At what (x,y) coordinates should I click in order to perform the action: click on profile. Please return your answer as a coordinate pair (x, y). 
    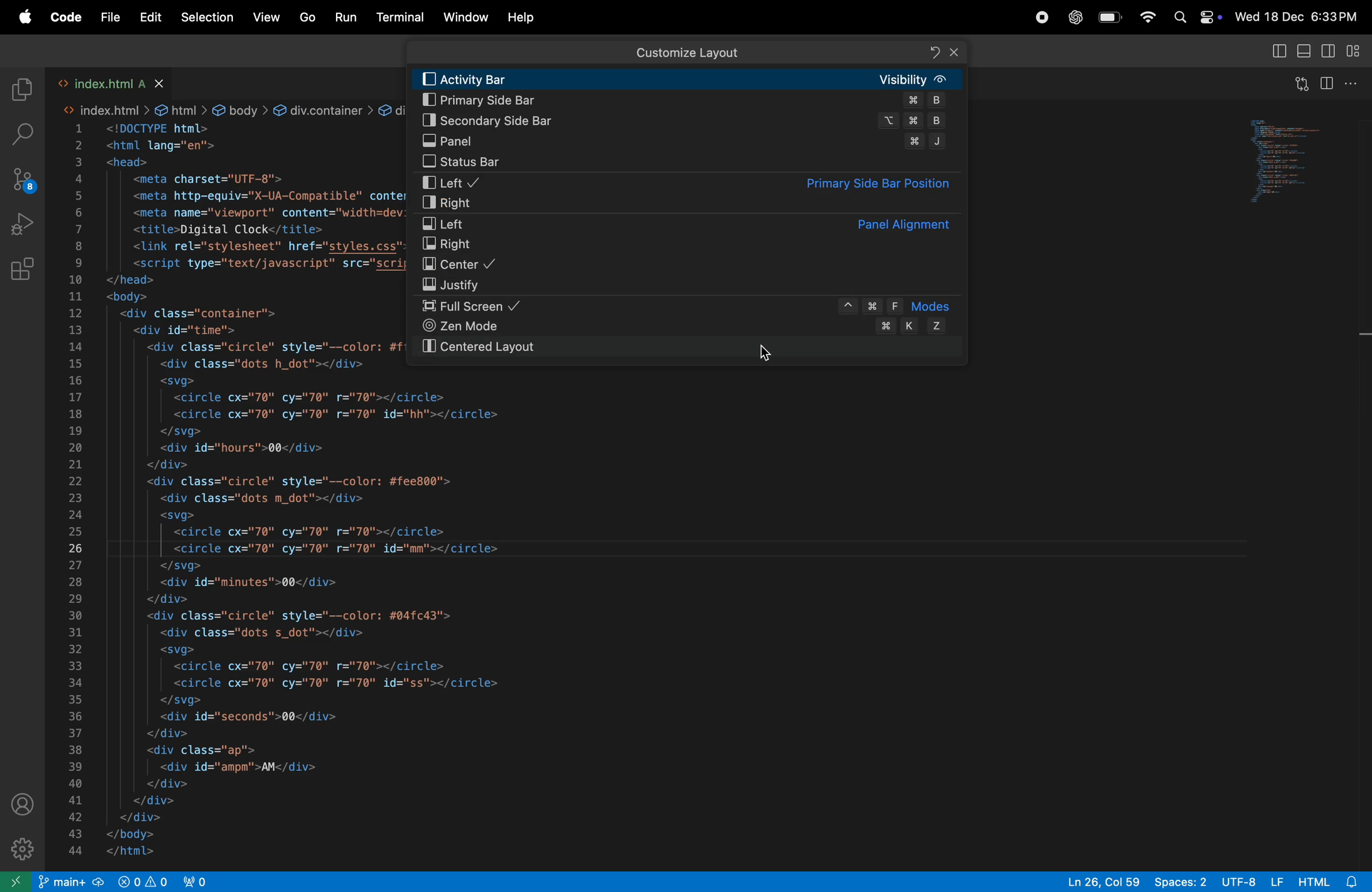
    Looking at the image, I should click on (24, 805).